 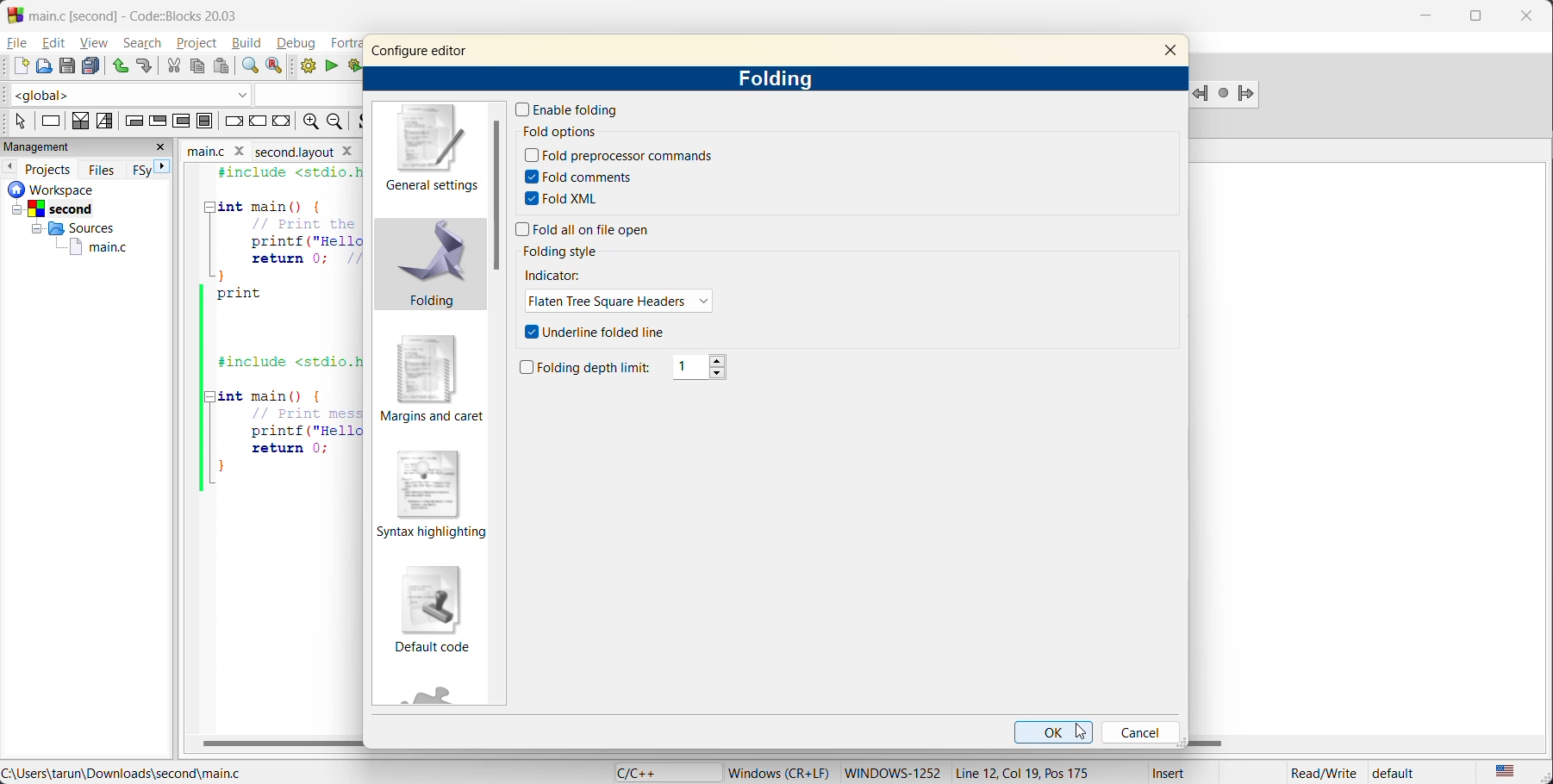 I want to click on edit, so click(x=53, y=44).